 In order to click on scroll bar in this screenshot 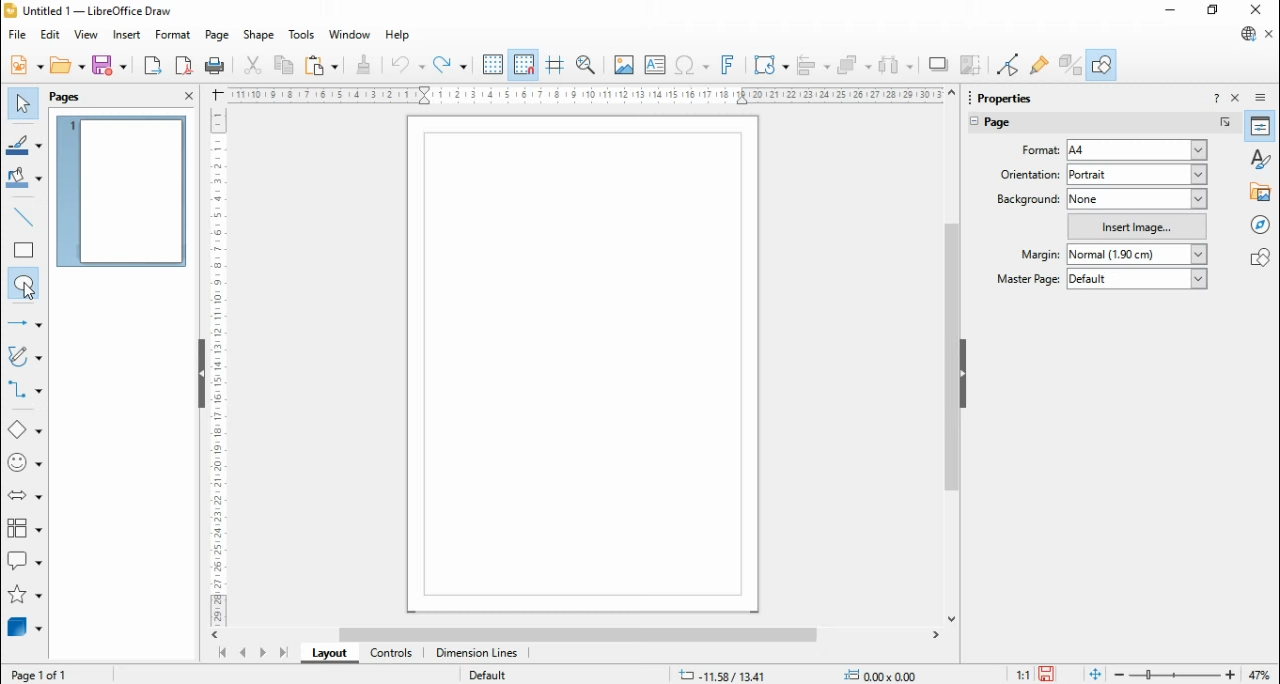, I will do `click(582, 634)`.